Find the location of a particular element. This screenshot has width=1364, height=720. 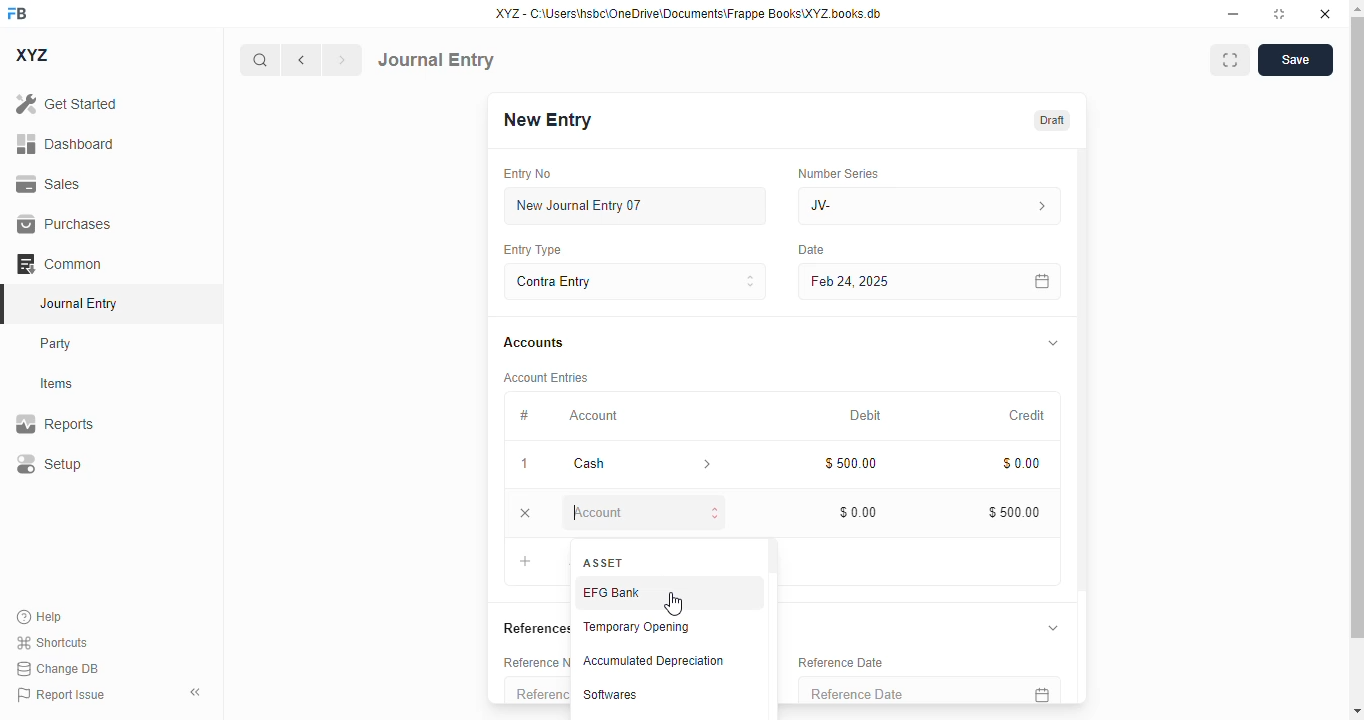

account information is located at coordinates (708, 464).